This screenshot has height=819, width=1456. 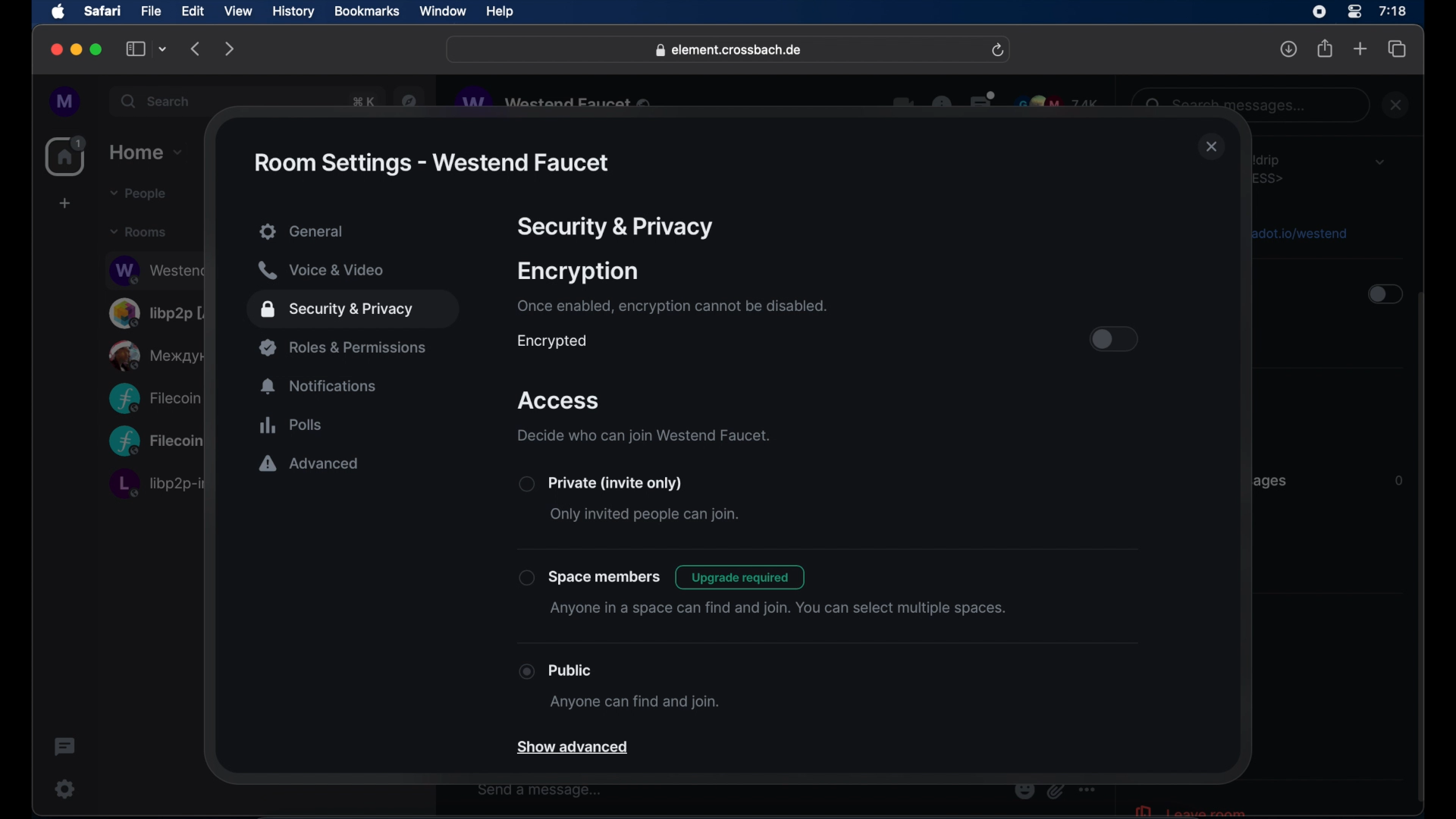 What do you see at coordinates (1269, 481) in the screenshot?
I see `obscure` at bounding box center [1269, 481].